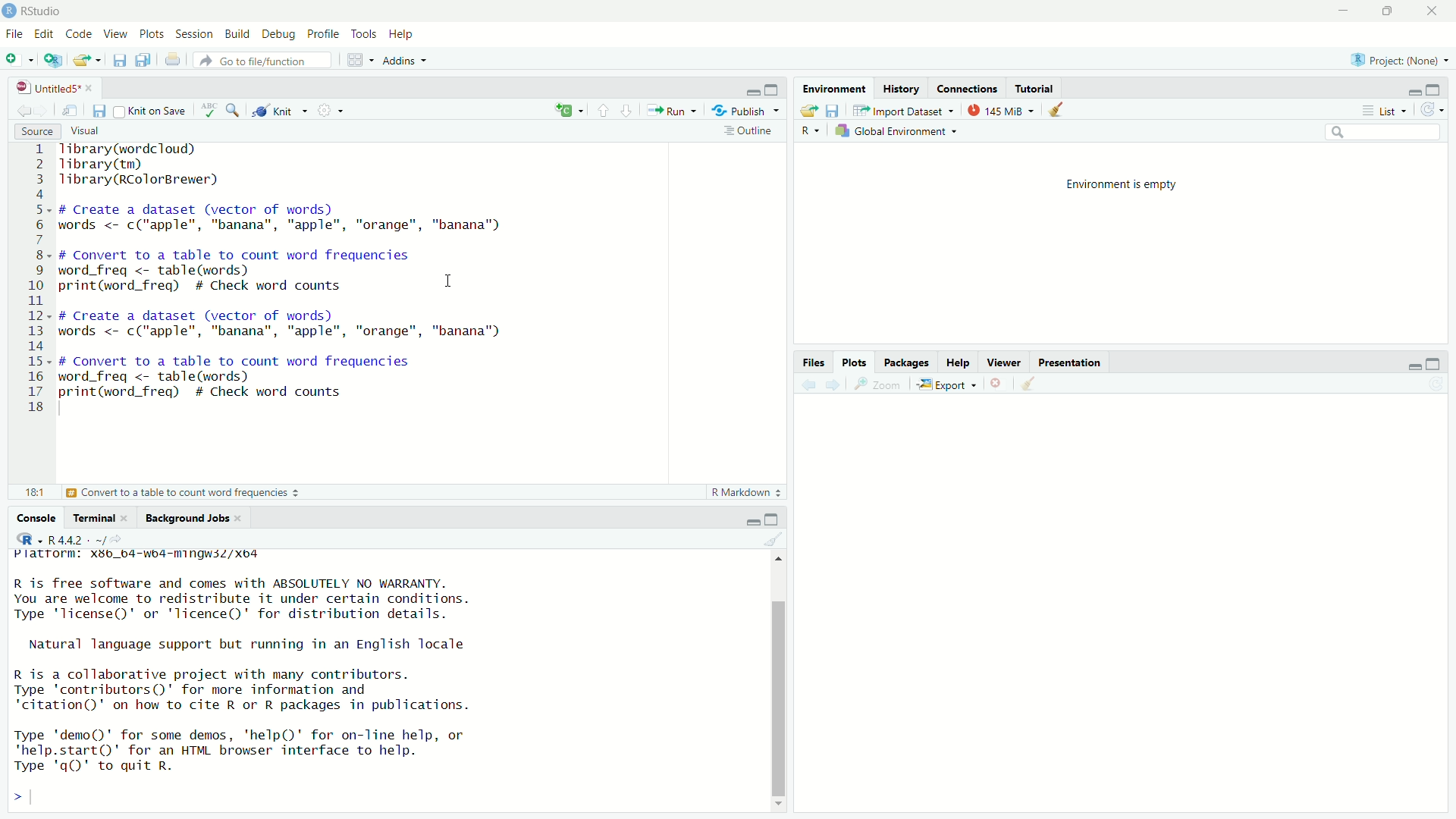  Describe the element at coordinates (905, 112) in the screenshot. I see `Input Dataset` at that location.